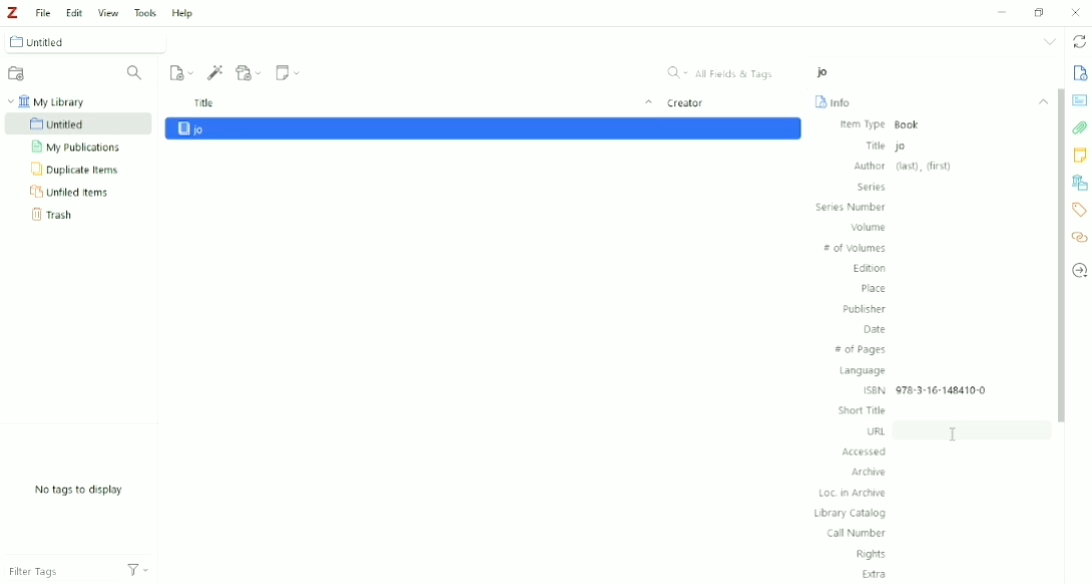 The image size is (1092, 584). I want to click on Date, so click(872, 329).